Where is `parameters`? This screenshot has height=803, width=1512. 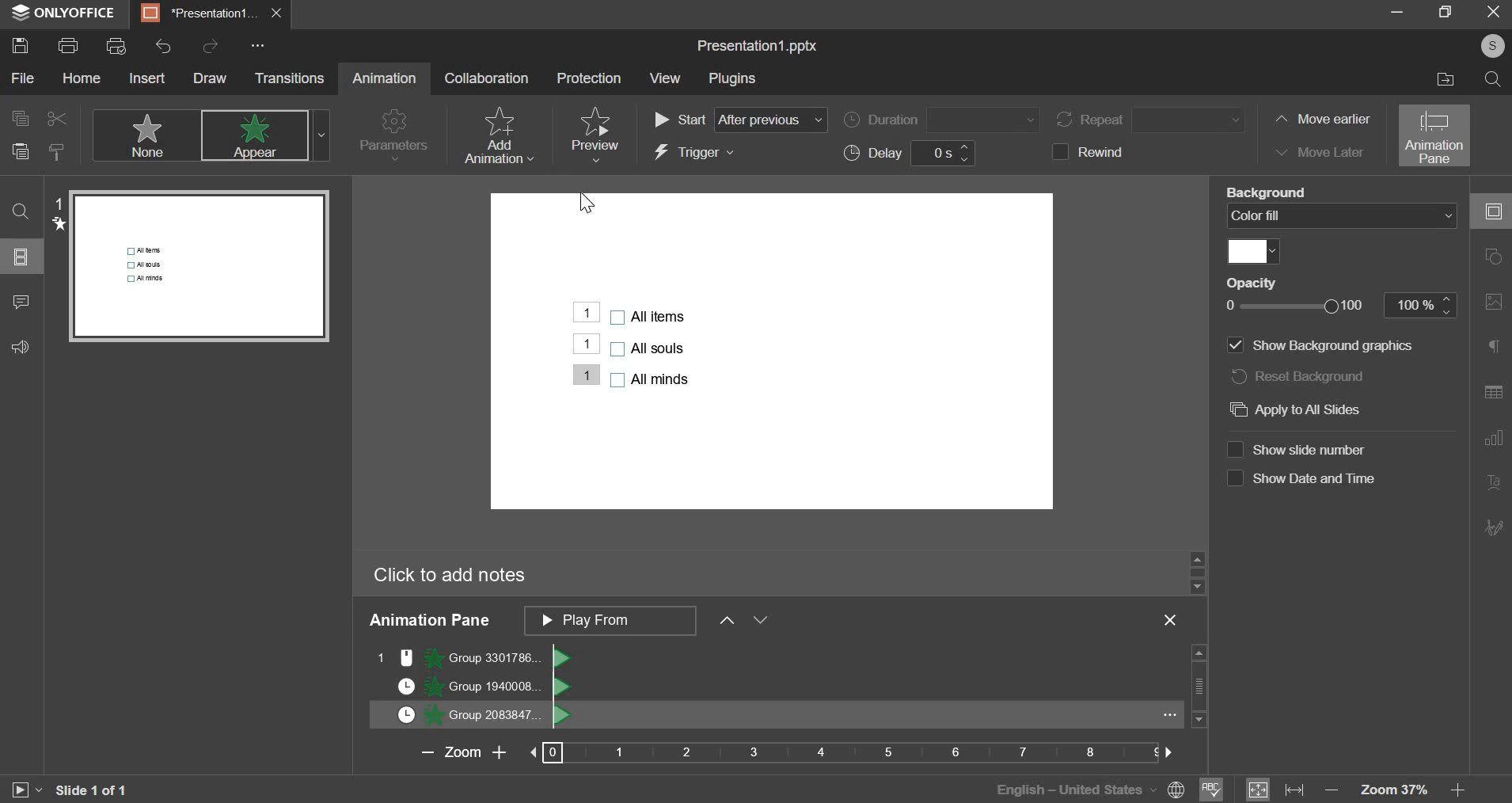 parameters is located at coordinates (394, 137).